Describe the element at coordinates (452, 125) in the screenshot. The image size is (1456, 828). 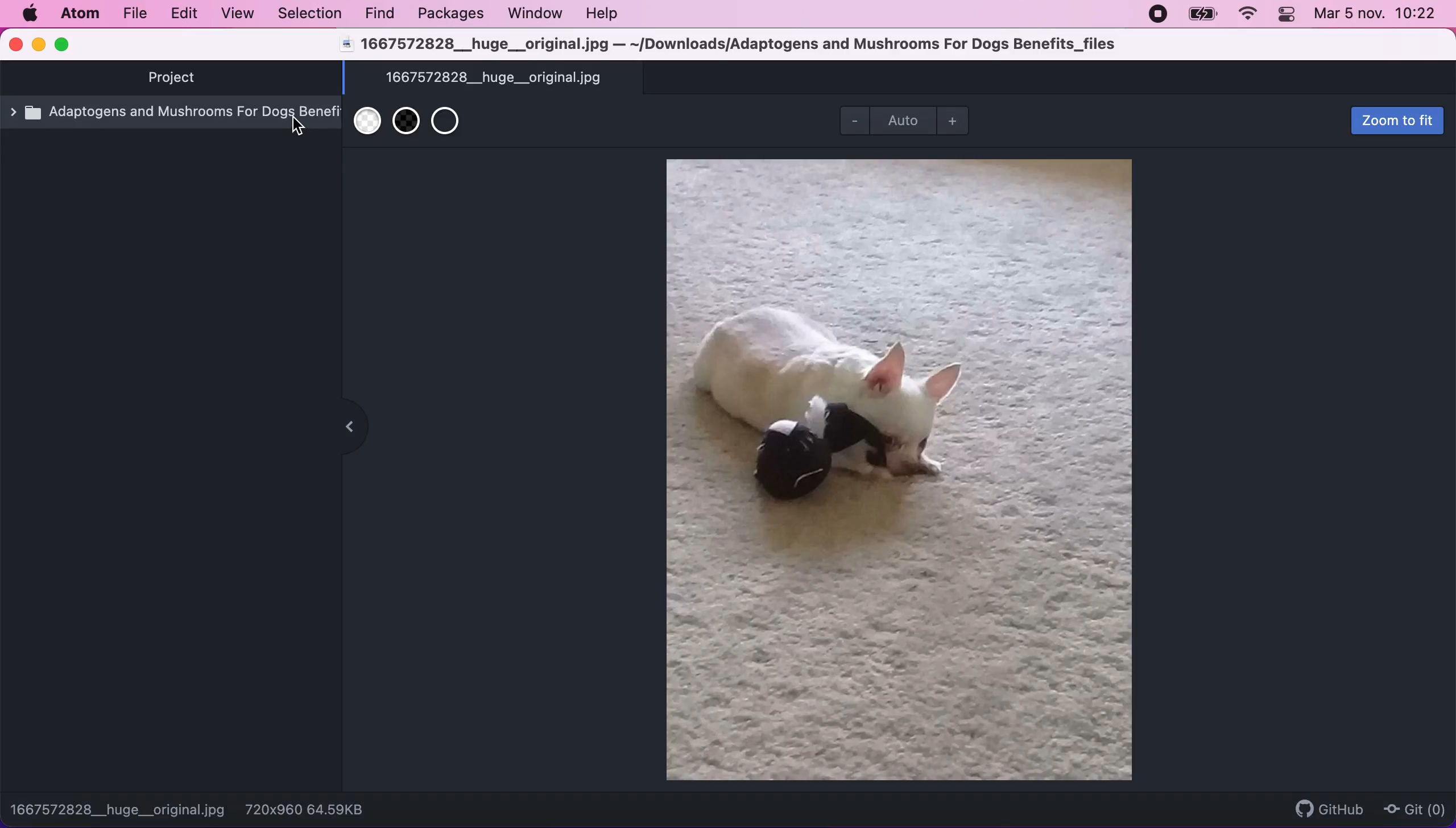
I see `use transparent background` at that location.